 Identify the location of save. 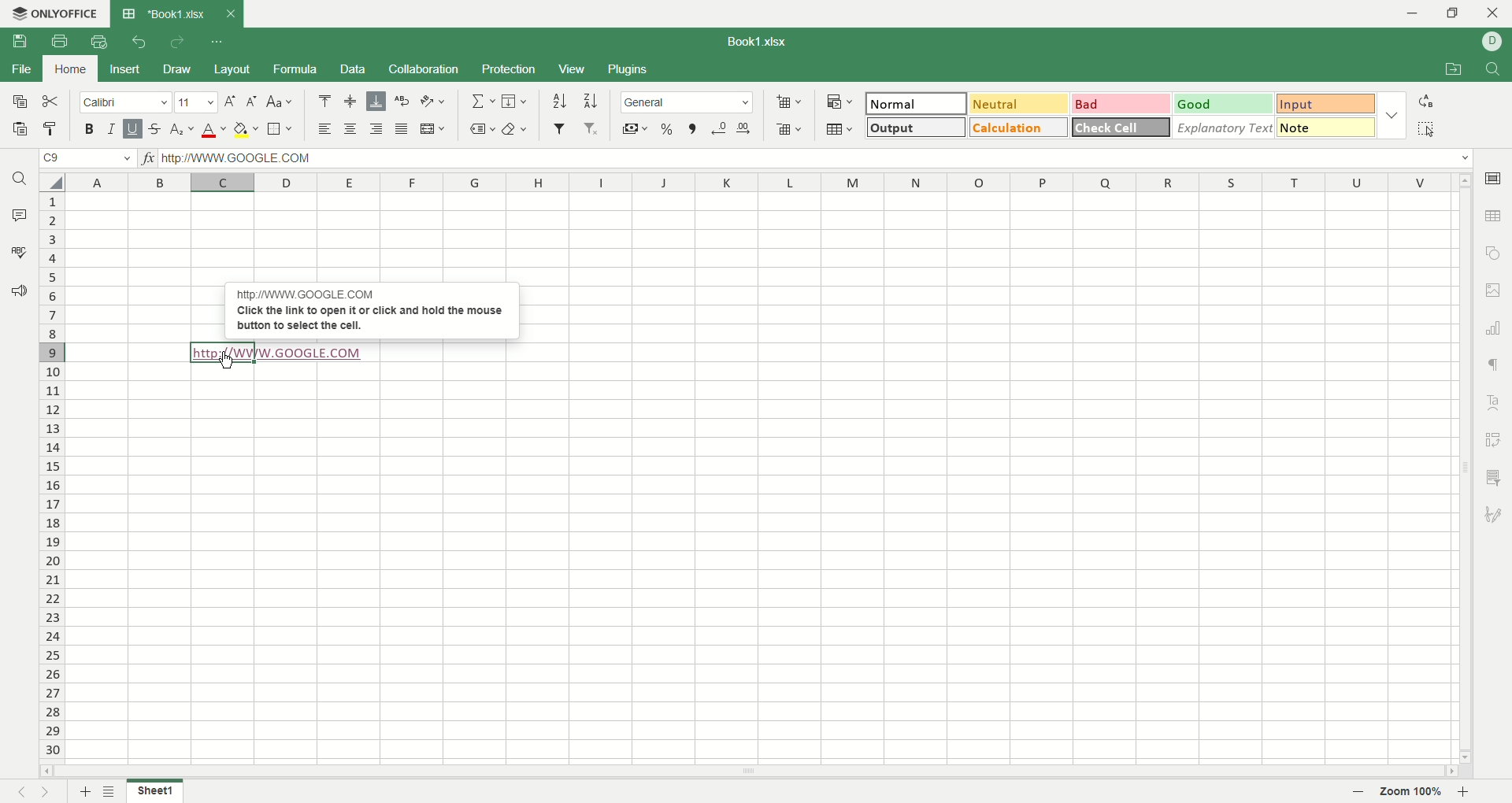
(18, 42).